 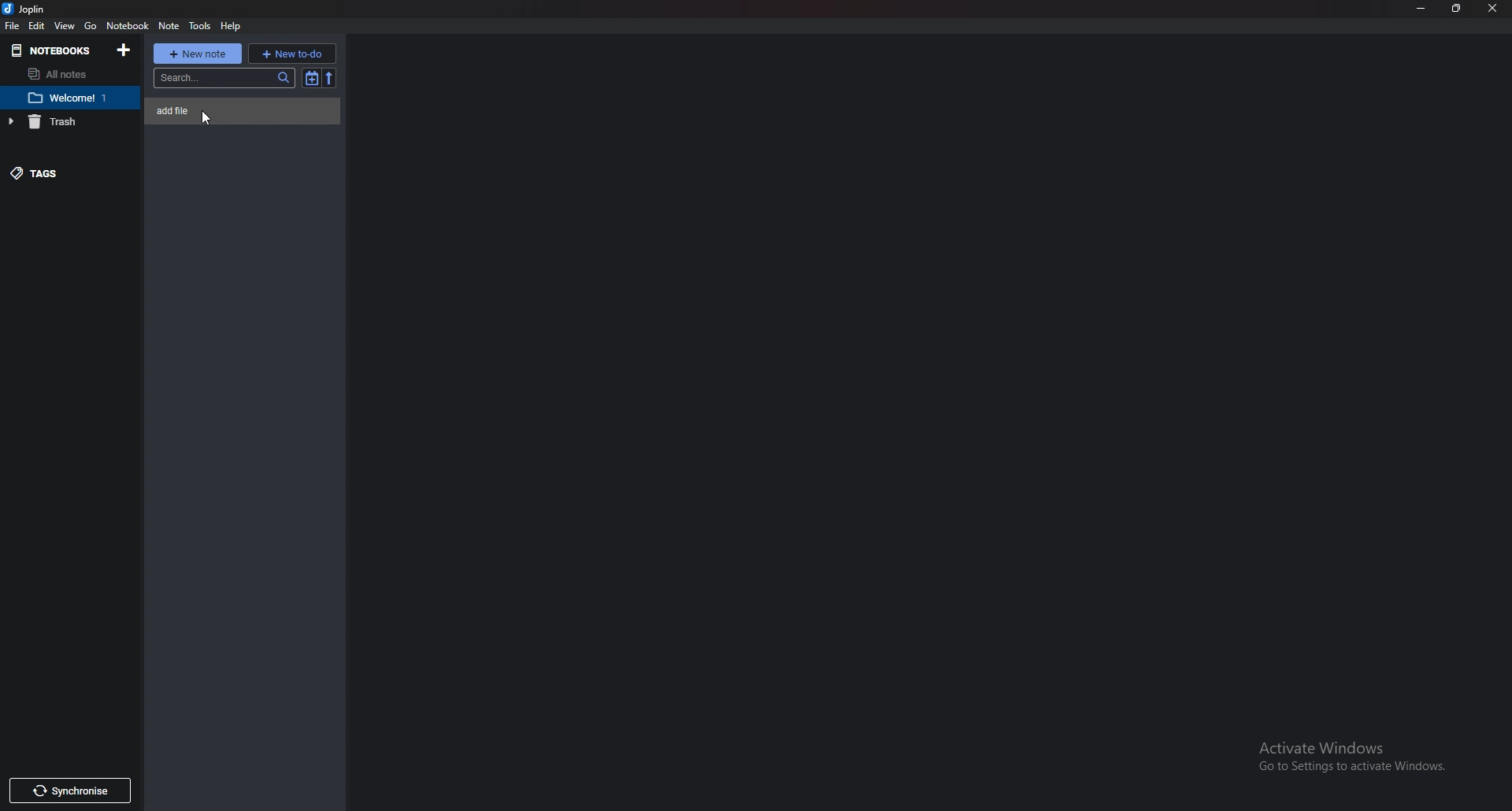 I want to click on Tools, so click(x=200, y=26).